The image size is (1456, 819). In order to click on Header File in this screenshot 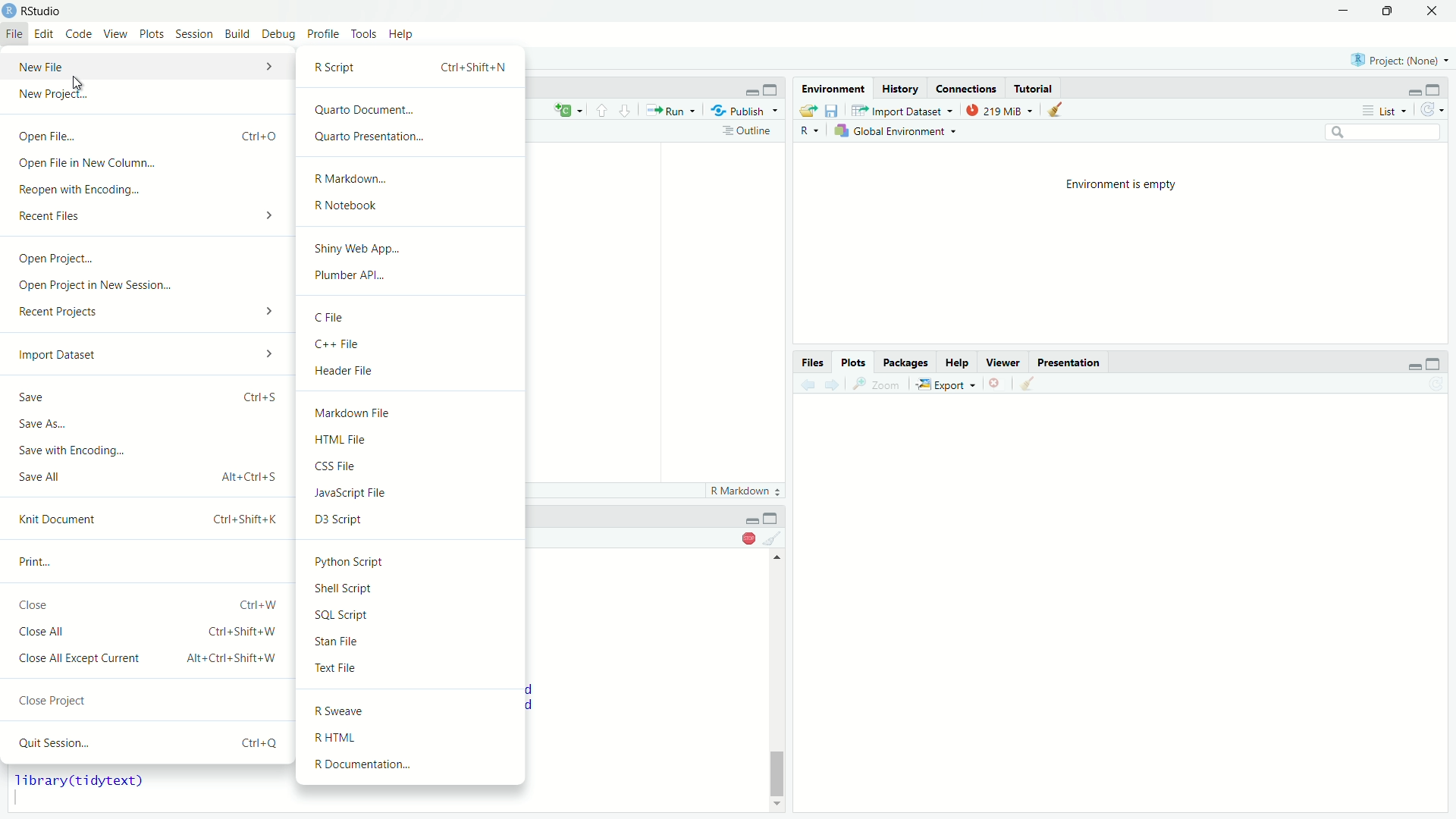, I will do `click(413, 371)`.